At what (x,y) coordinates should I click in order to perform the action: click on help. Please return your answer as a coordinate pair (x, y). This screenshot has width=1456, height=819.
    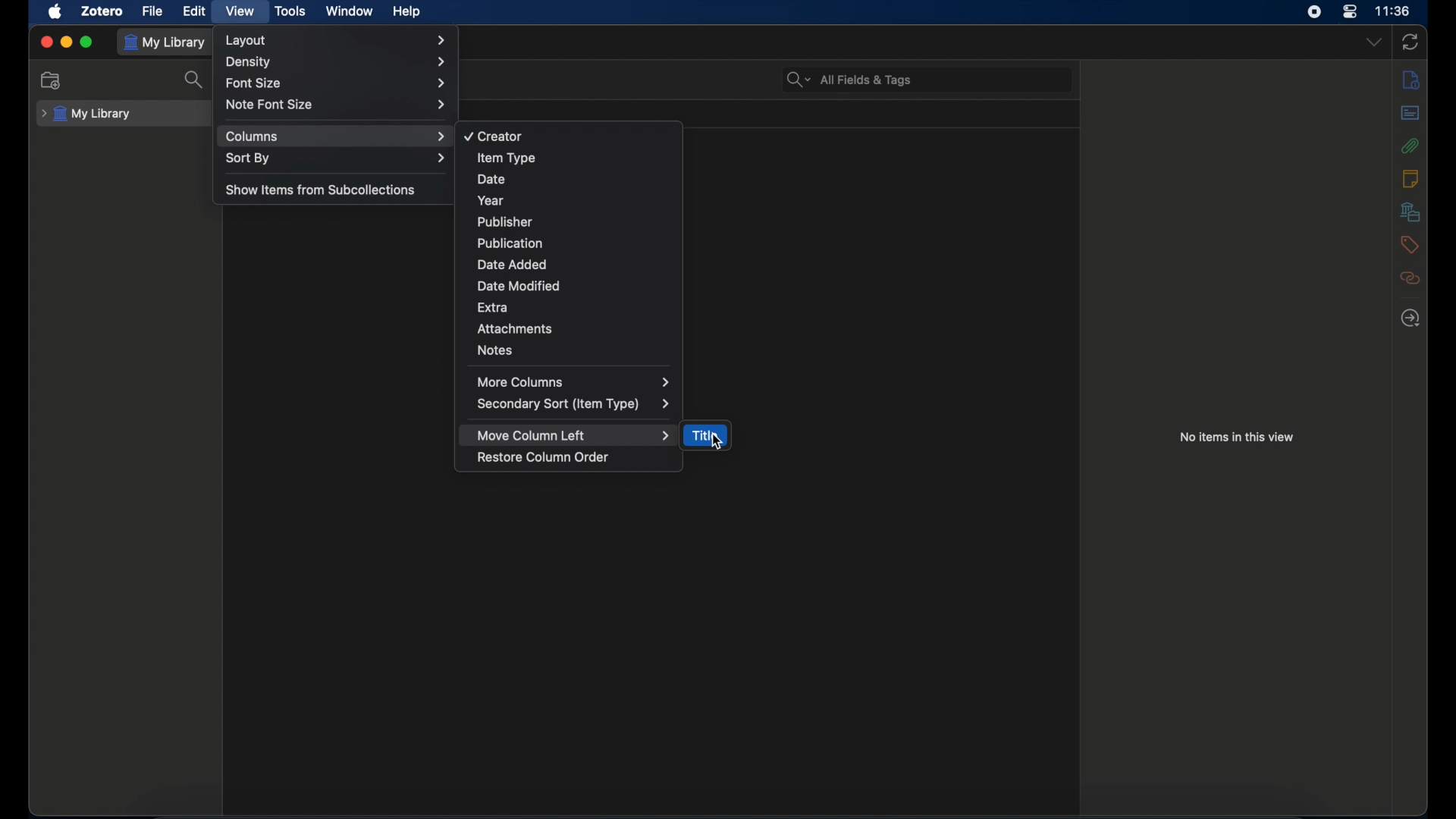
    Looking at the image, I should click on (406, 12).